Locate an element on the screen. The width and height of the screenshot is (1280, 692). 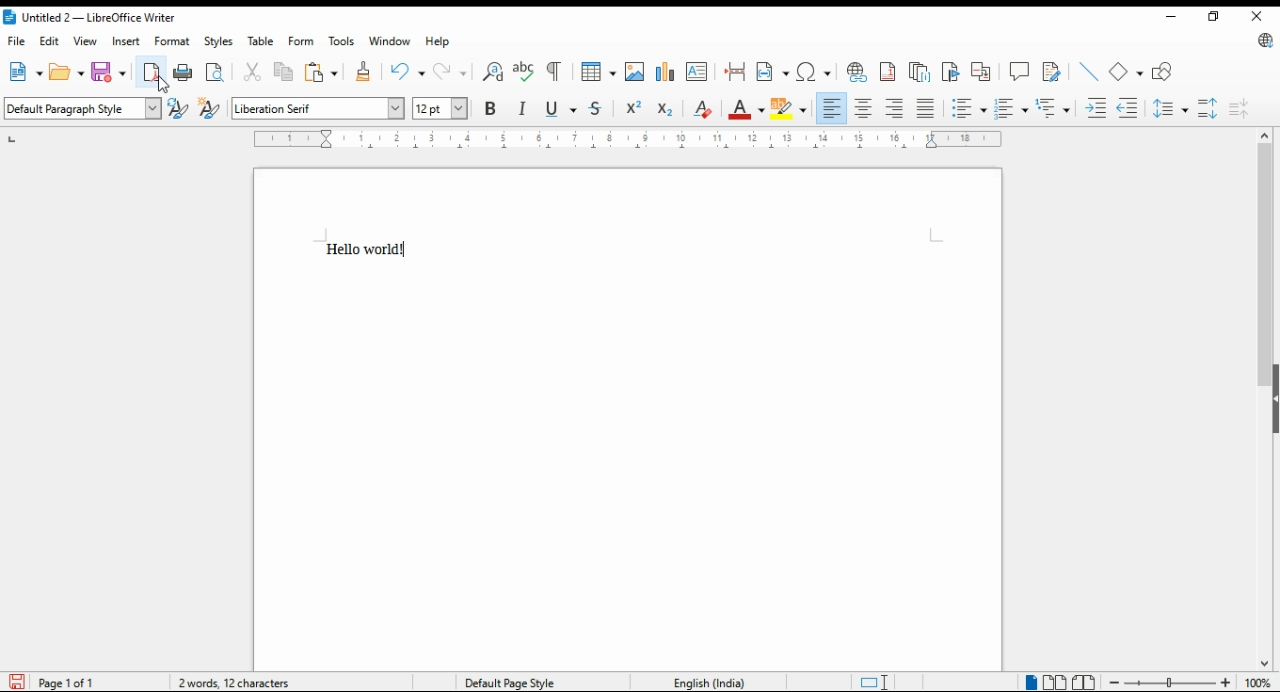
highlight is located at coordinates (792, 108).